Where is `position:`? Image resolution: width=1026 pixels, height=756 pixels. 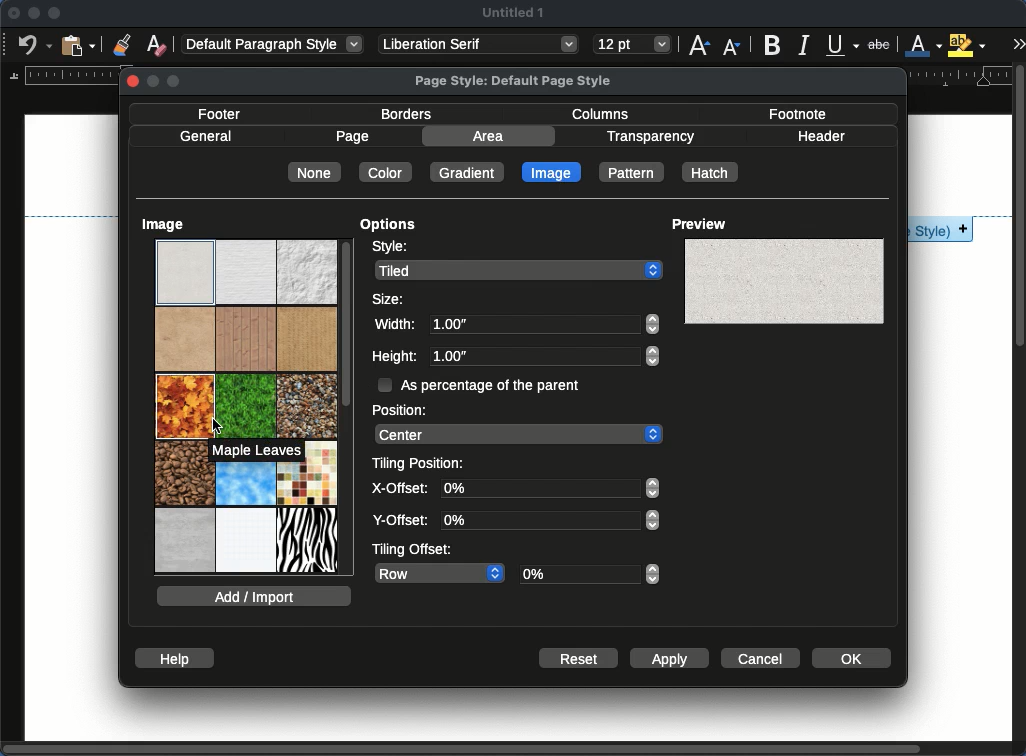 position: is located at coordinates (400, 409).